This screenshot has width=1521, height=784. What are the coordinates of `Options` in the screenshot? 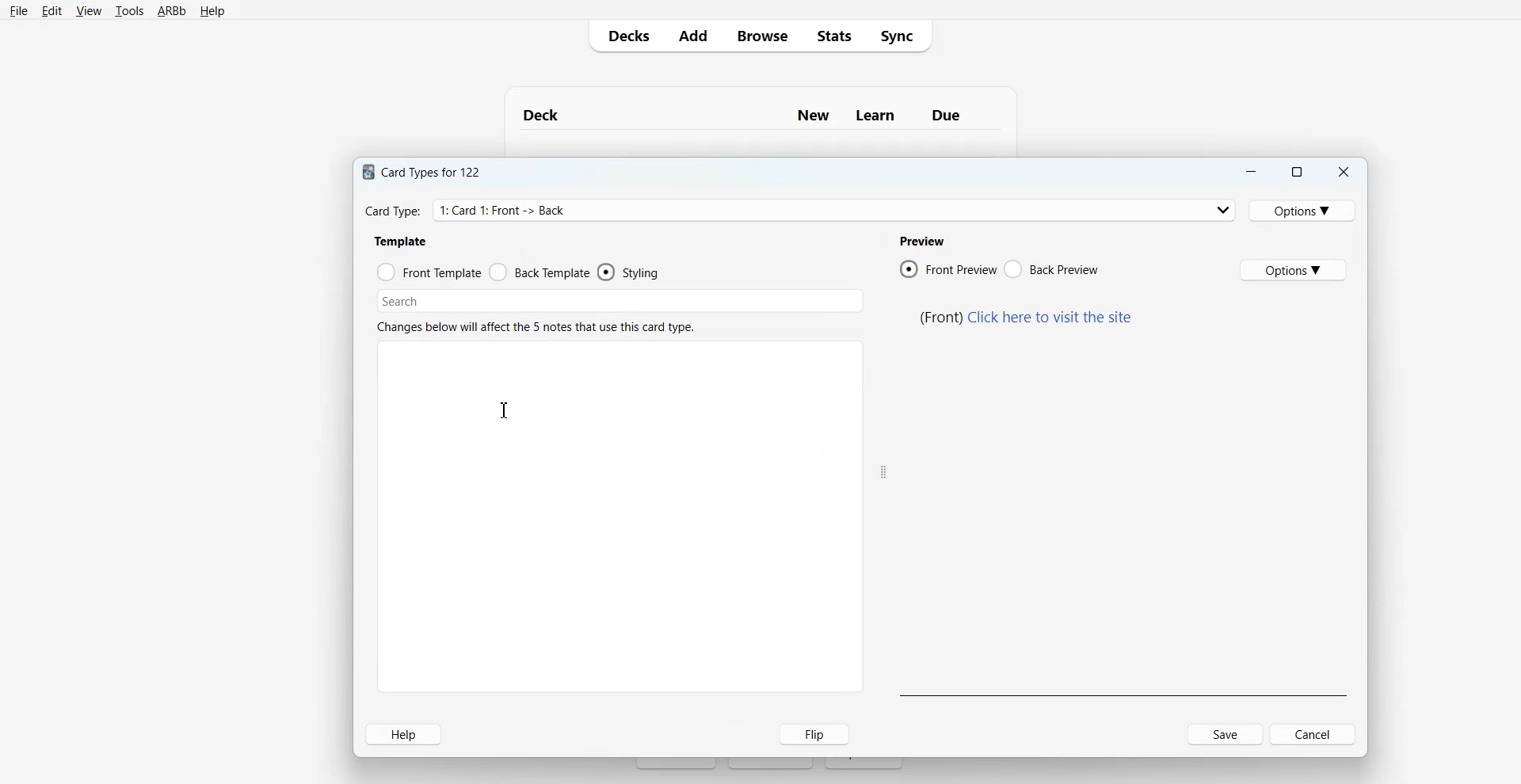 It's located at (1302, 211).